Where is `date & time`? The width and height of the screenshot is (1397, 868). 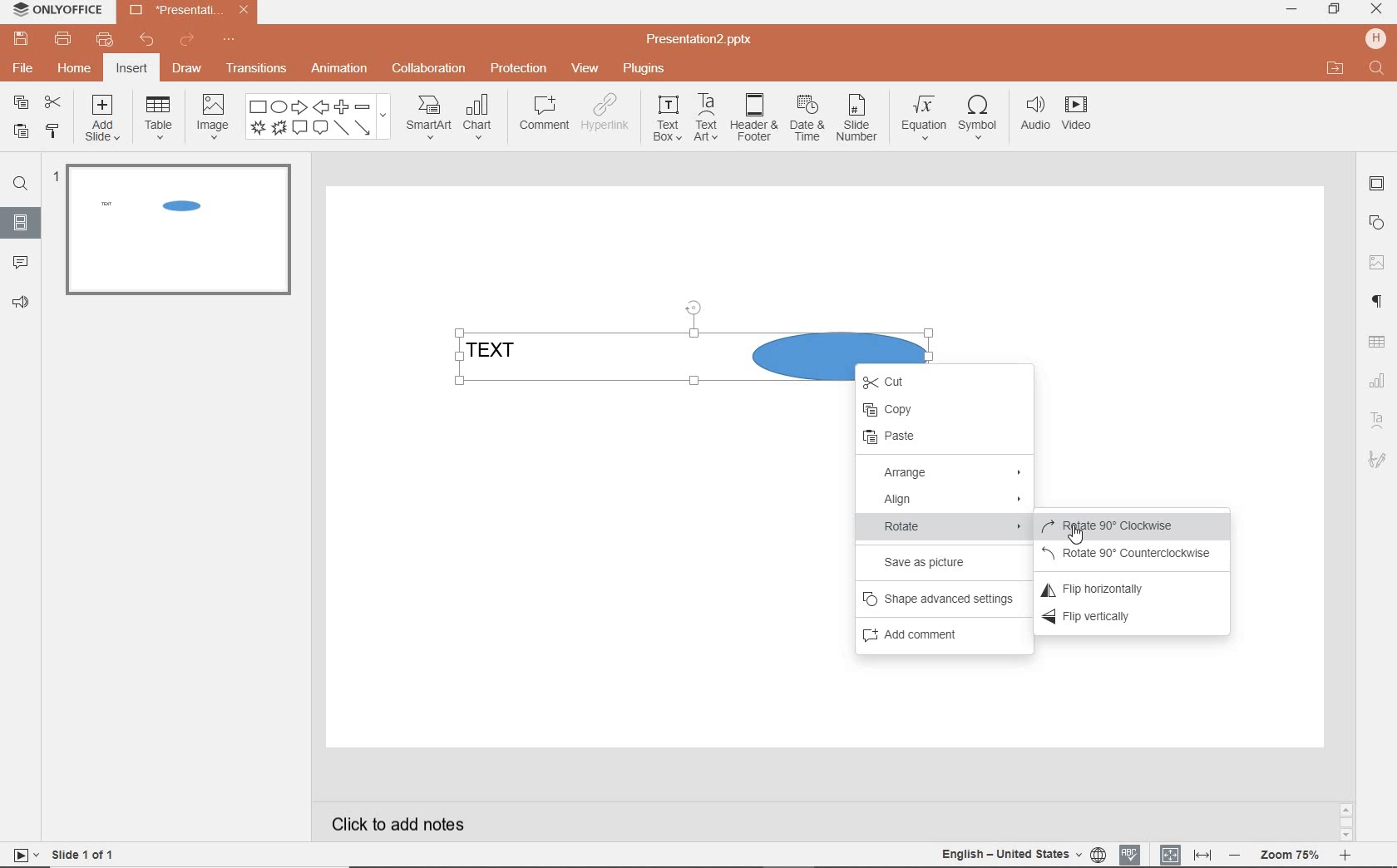
date & time is located at coordinates (805, 122).